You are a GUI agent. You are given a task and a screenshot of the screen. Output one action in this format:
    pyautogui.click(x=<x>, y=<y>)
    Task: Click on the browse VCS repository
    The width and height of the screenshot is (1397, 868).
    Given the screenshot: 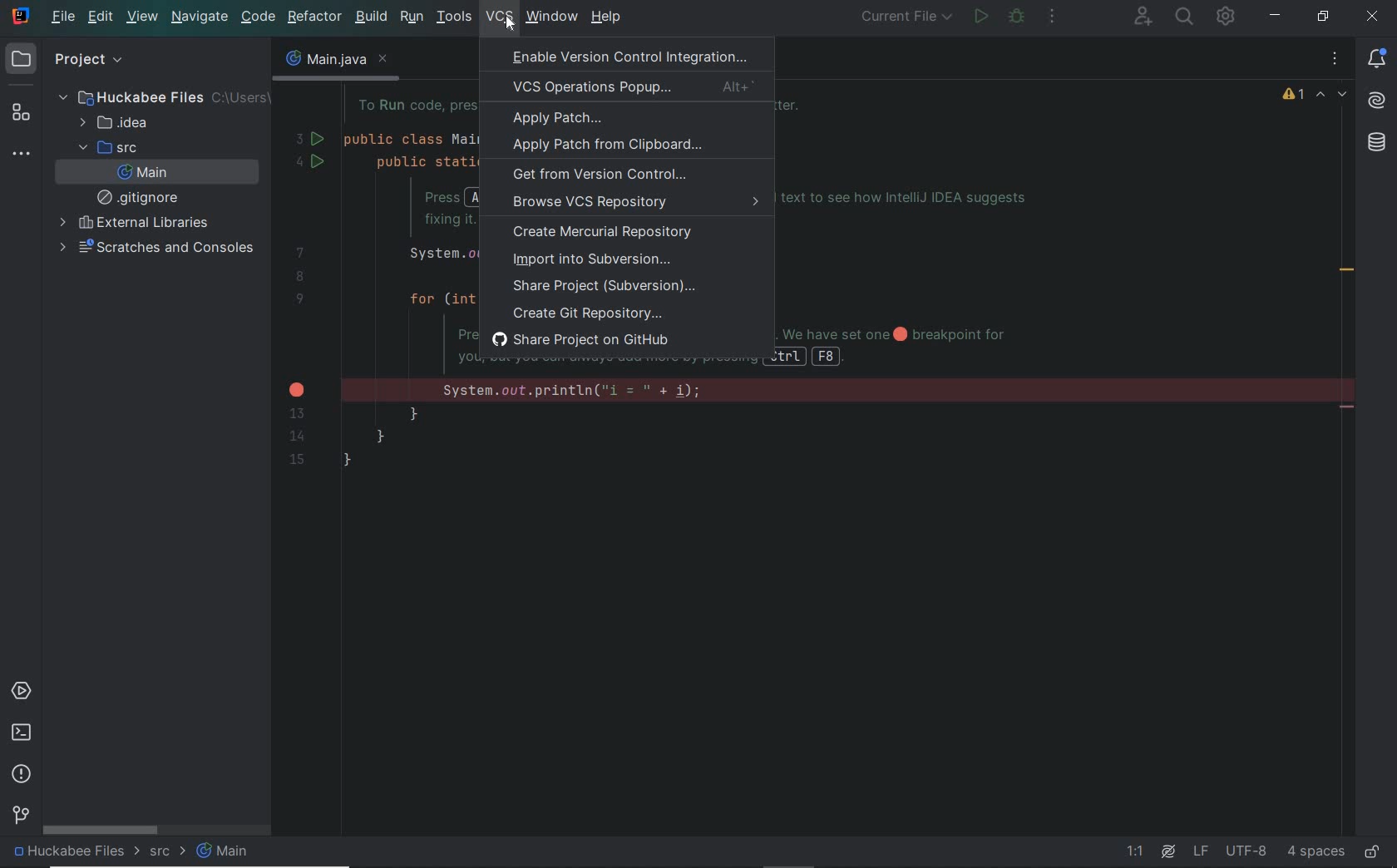 What is the action you would take?
    pyautogui.click(x=626, y=205)
    